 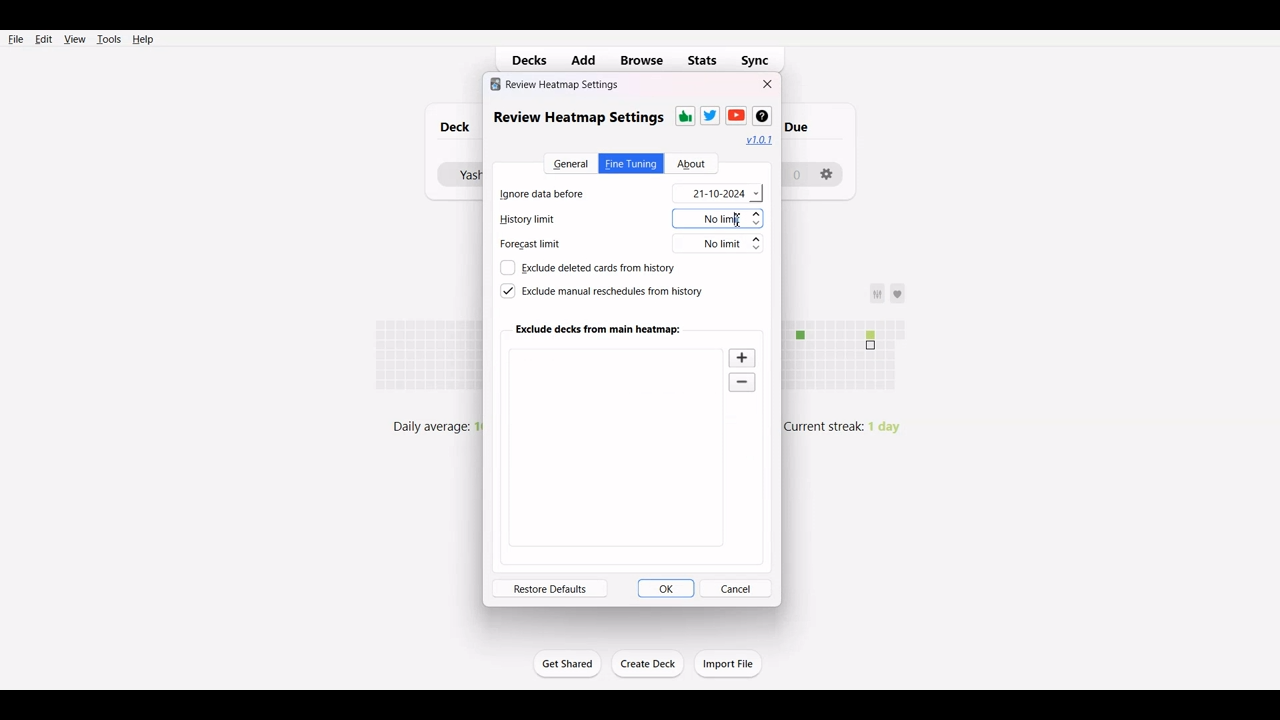 I want to click on settings, so click(x=828, y=169).